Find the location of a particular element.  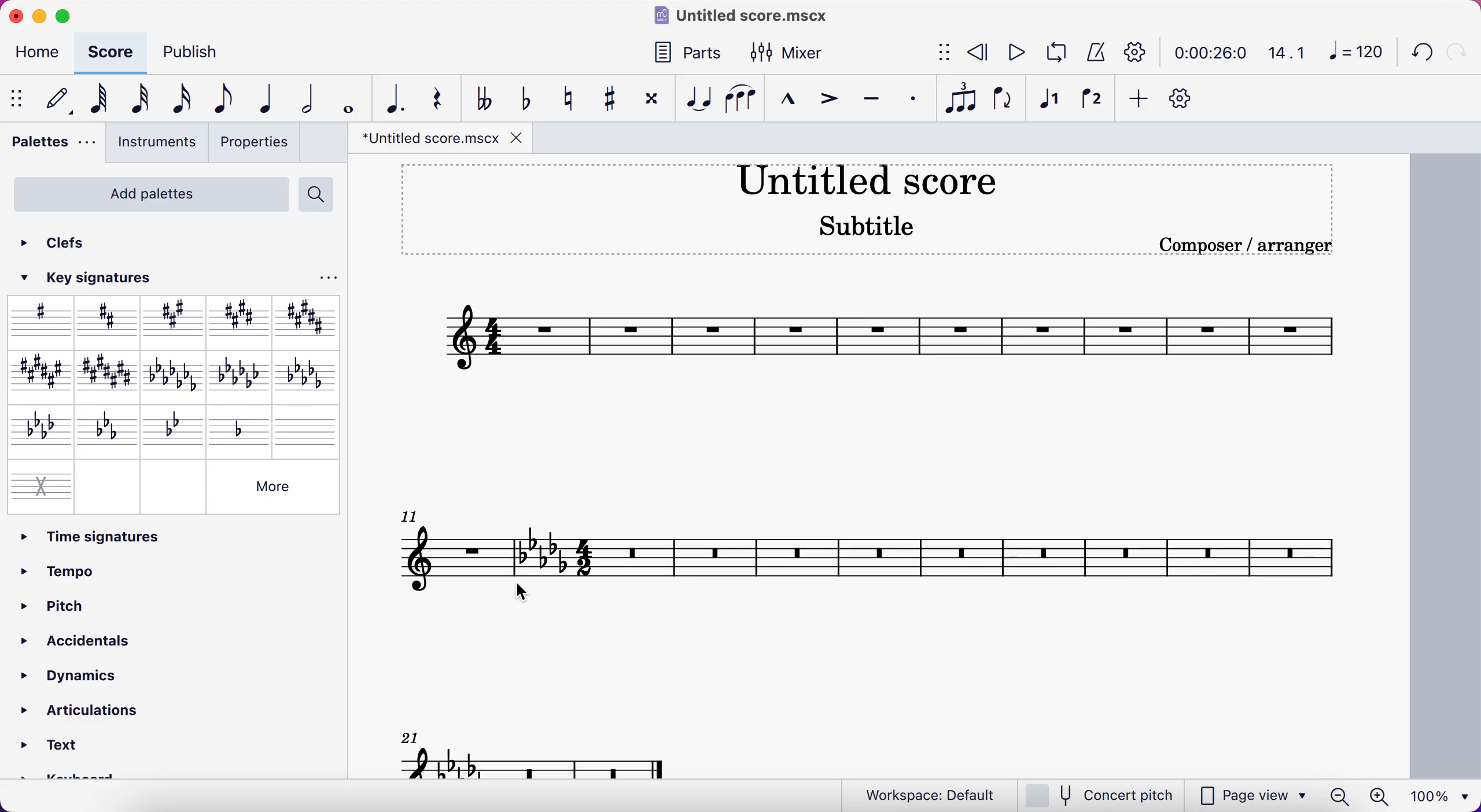

undo is located at coordinates (1417, 54).